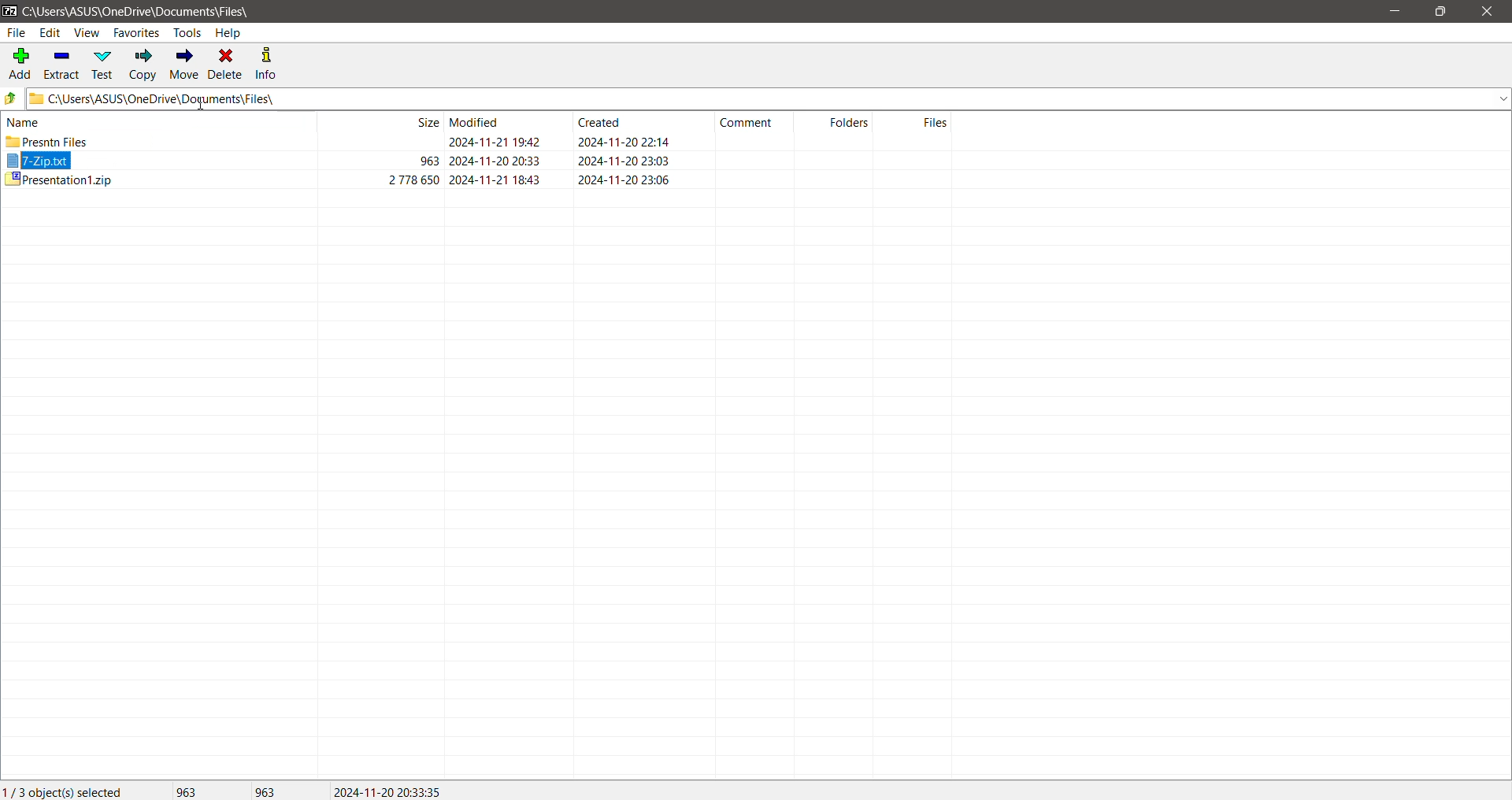 This screenshot has width=1512, height=800. What do you see at coordinates (50, 33) in the screenshot?
I see `Edit` at bounding box center [50, 33].